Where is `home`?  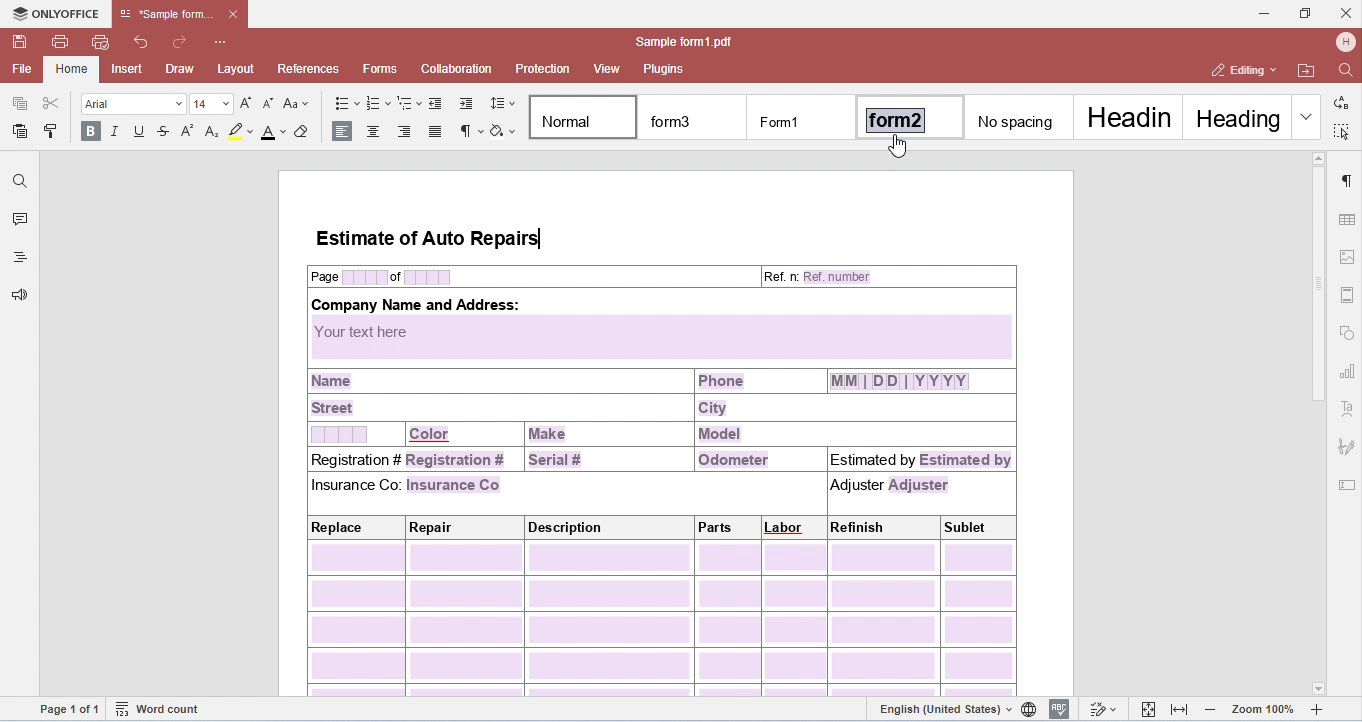 home is located at coordinates (73, 70).